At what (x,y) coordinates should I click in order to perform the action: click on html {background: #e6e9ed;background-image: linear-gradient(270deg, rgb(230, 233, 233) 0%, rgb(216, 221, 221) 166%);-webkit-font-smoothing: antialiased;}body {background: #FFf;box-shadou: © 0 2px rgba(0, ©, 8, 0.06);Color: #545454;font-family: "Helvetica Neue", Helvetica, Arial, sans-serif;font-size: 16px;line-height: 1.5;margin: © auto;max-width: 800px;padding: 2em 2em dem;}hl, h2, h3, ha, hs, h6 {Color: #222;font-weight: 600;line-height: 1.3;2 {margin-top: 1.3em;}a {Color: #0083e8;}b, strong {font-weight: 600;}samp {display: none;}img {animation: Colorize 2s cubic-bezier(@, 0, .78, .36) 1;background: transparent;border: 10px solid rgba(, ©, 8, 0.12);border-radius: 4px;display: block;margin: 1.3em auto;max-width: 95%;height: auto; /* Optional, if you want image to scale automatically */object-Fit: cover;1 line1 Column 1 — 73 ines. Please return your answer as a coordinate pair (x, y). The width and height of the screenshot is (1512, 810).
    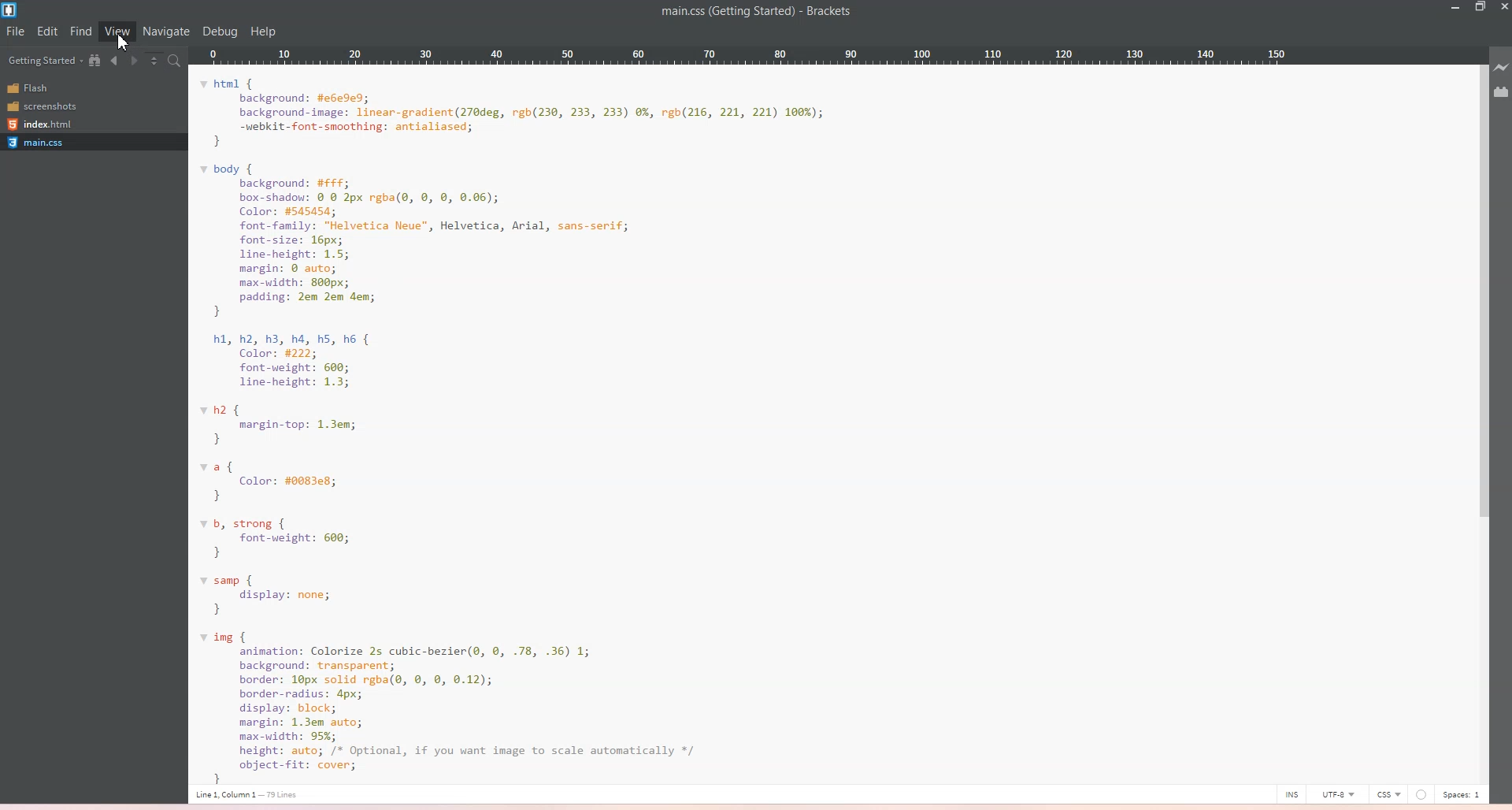
    Looking at the image, I should click on (664, 440).